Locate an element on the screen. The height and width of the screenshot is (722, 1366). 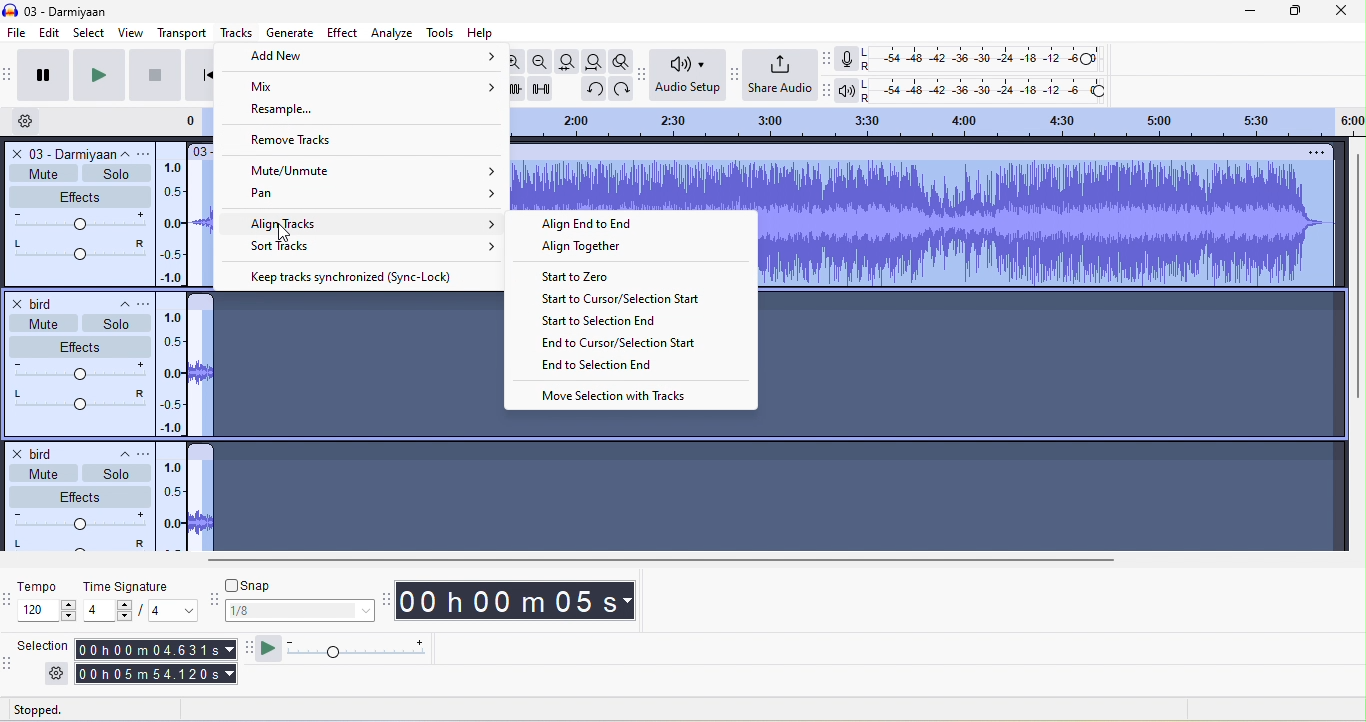
option is located at coordinates (1314, 155).